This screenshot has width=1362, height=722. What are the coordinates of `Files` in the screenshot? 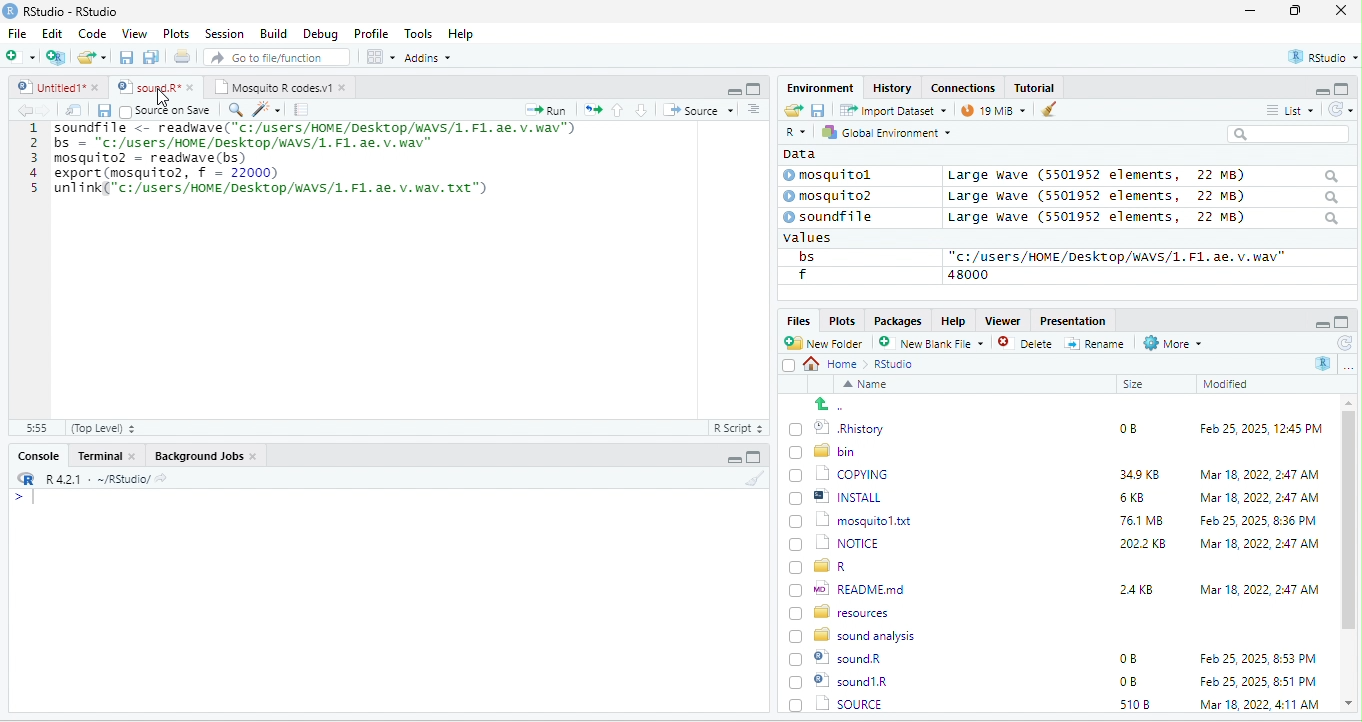 It's located at (795, 320).